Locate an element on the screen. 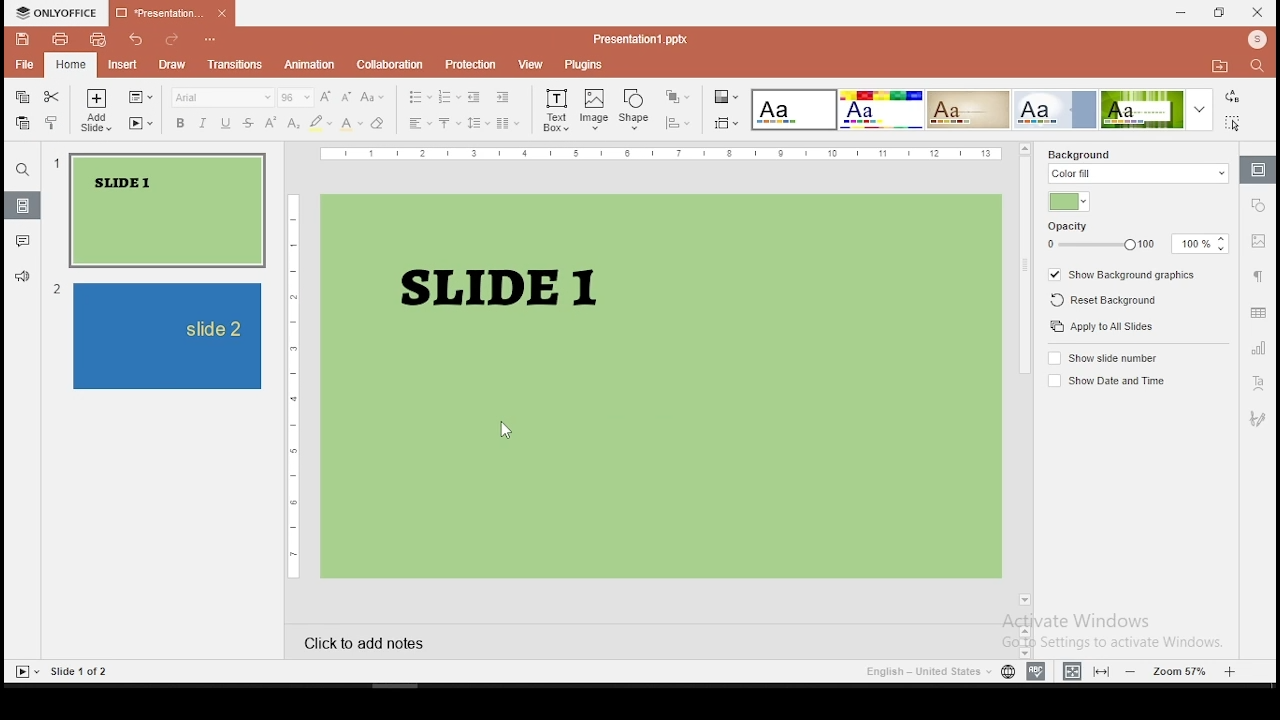 This screenshot has width=1280, height=720. italics is located at coordinates (203, 122).